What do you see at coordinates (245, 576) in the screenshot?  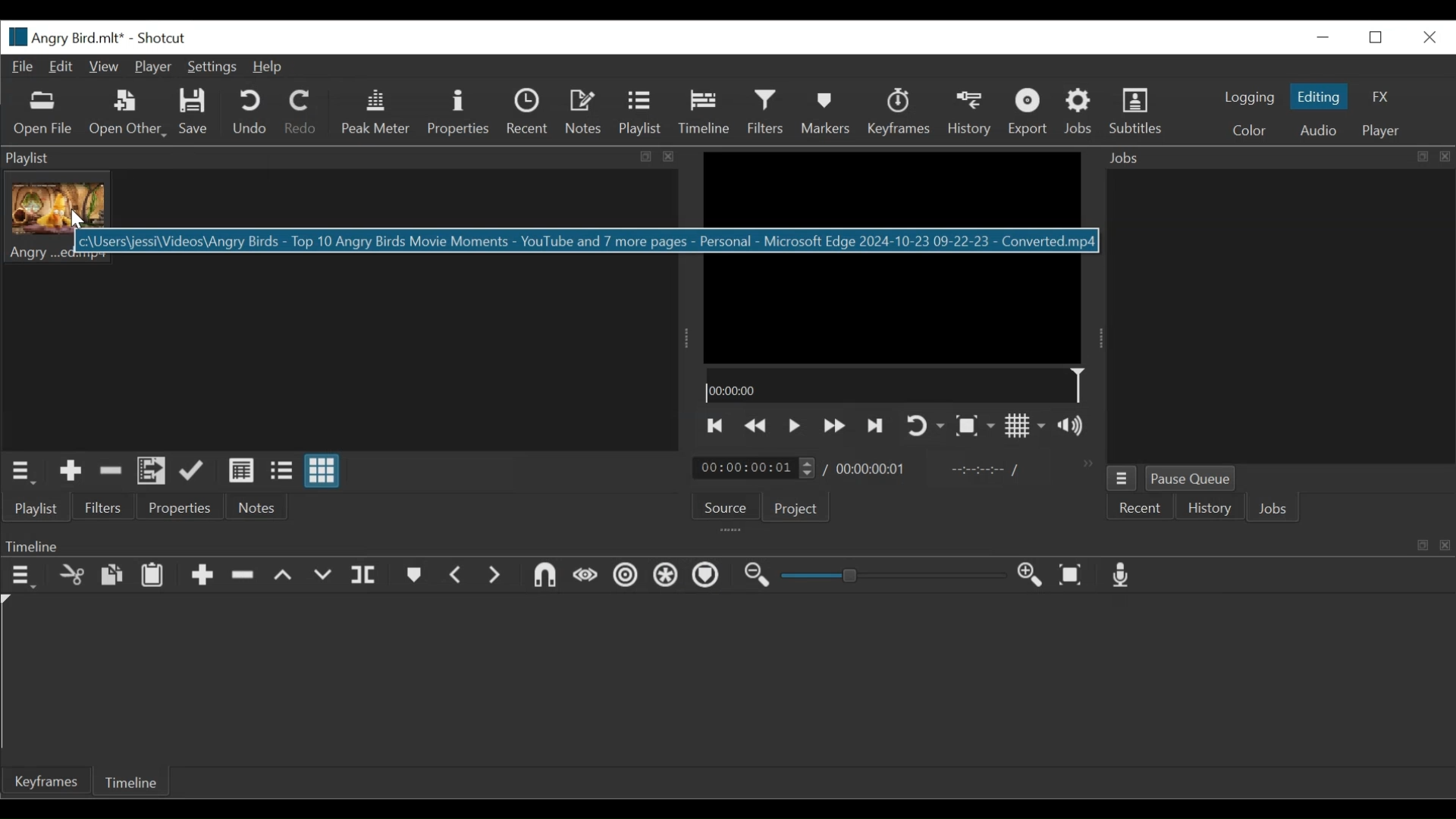 I see `Ripple Delete` at bounding box center [245, 576].